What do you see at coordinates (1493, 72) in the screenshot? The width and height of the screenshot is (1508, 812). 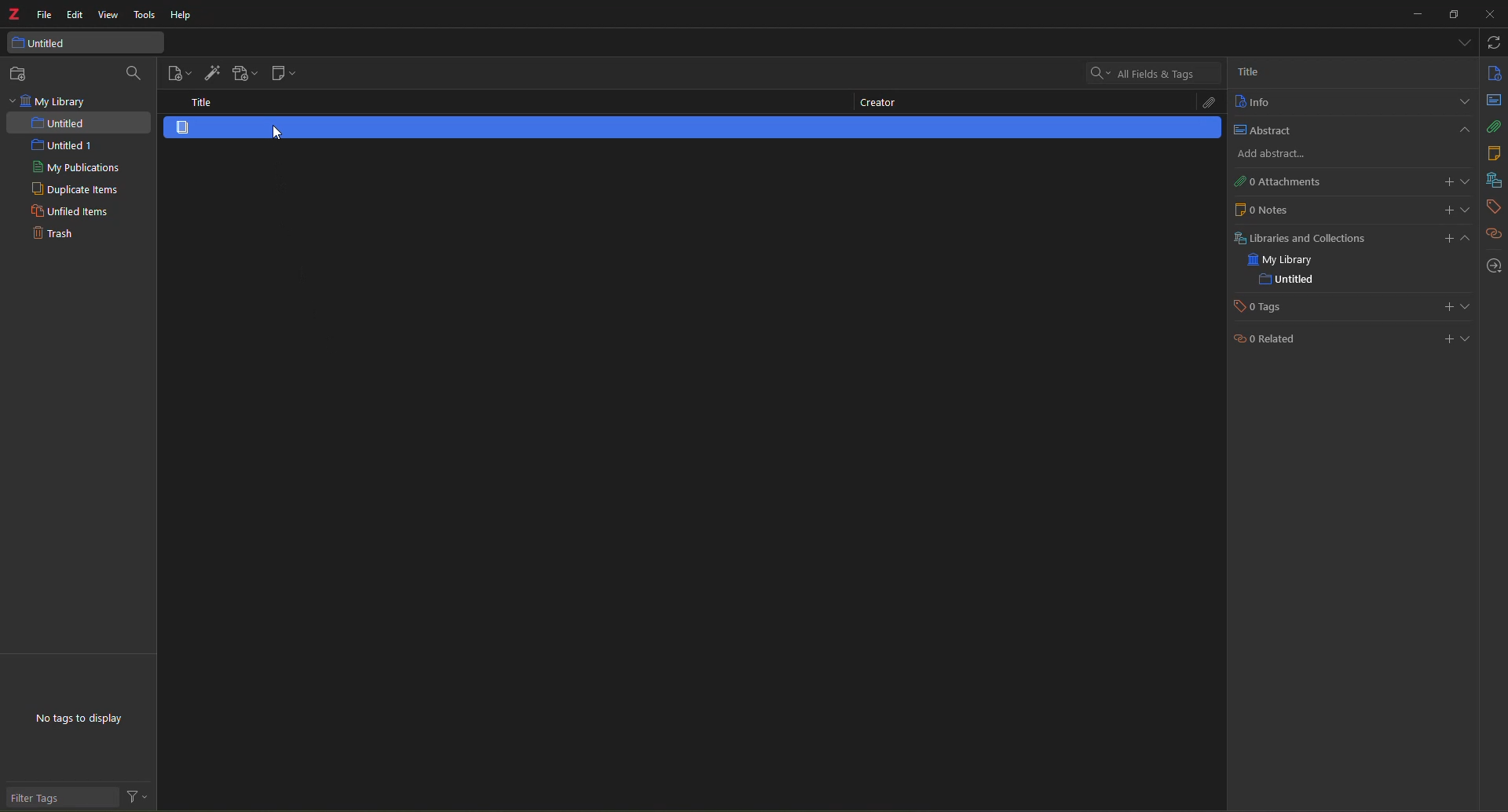 I see `info` at bounding box center [1493, 72].